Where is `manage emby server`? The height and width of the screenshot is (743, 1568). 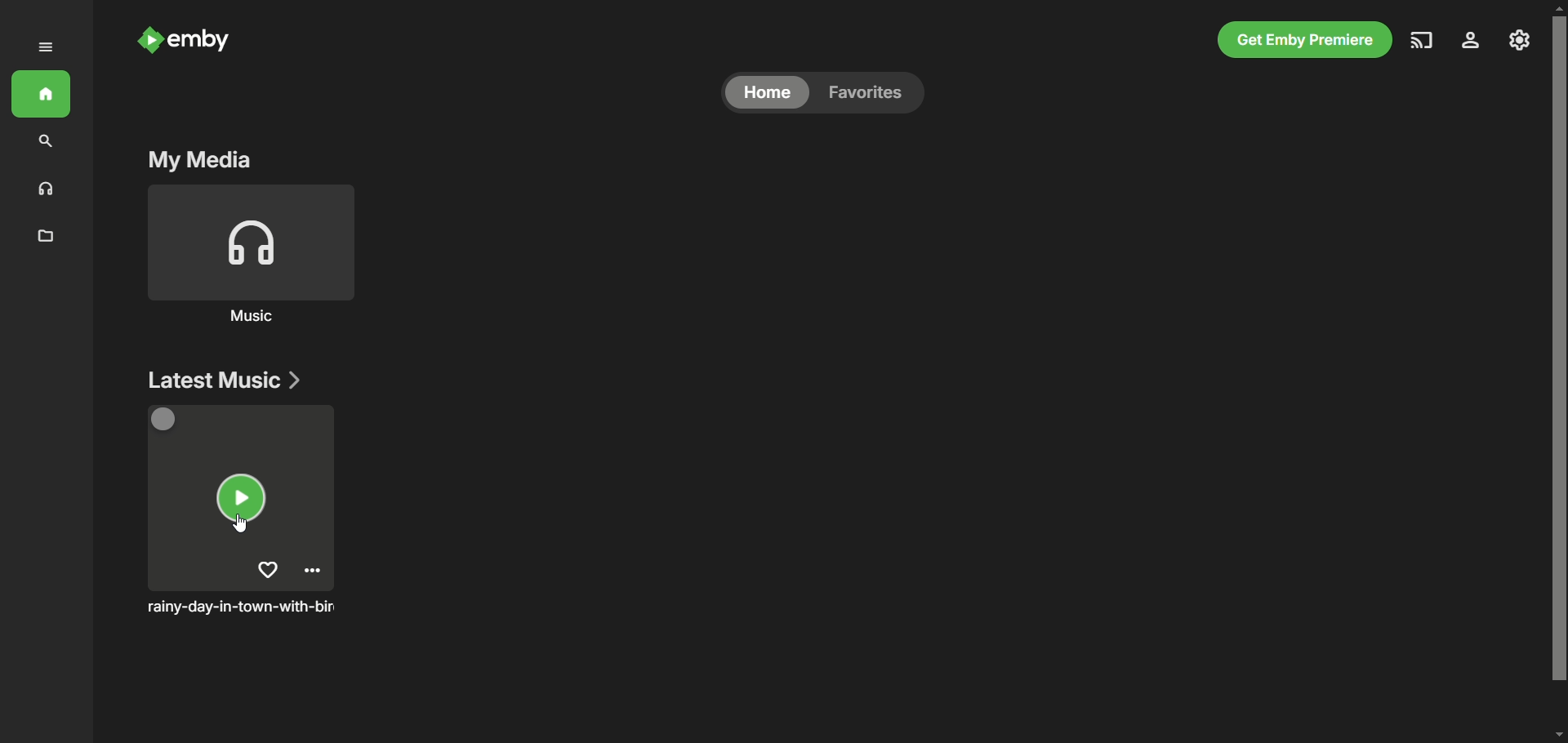
manage emby server is located at coordinates (1521, 42).